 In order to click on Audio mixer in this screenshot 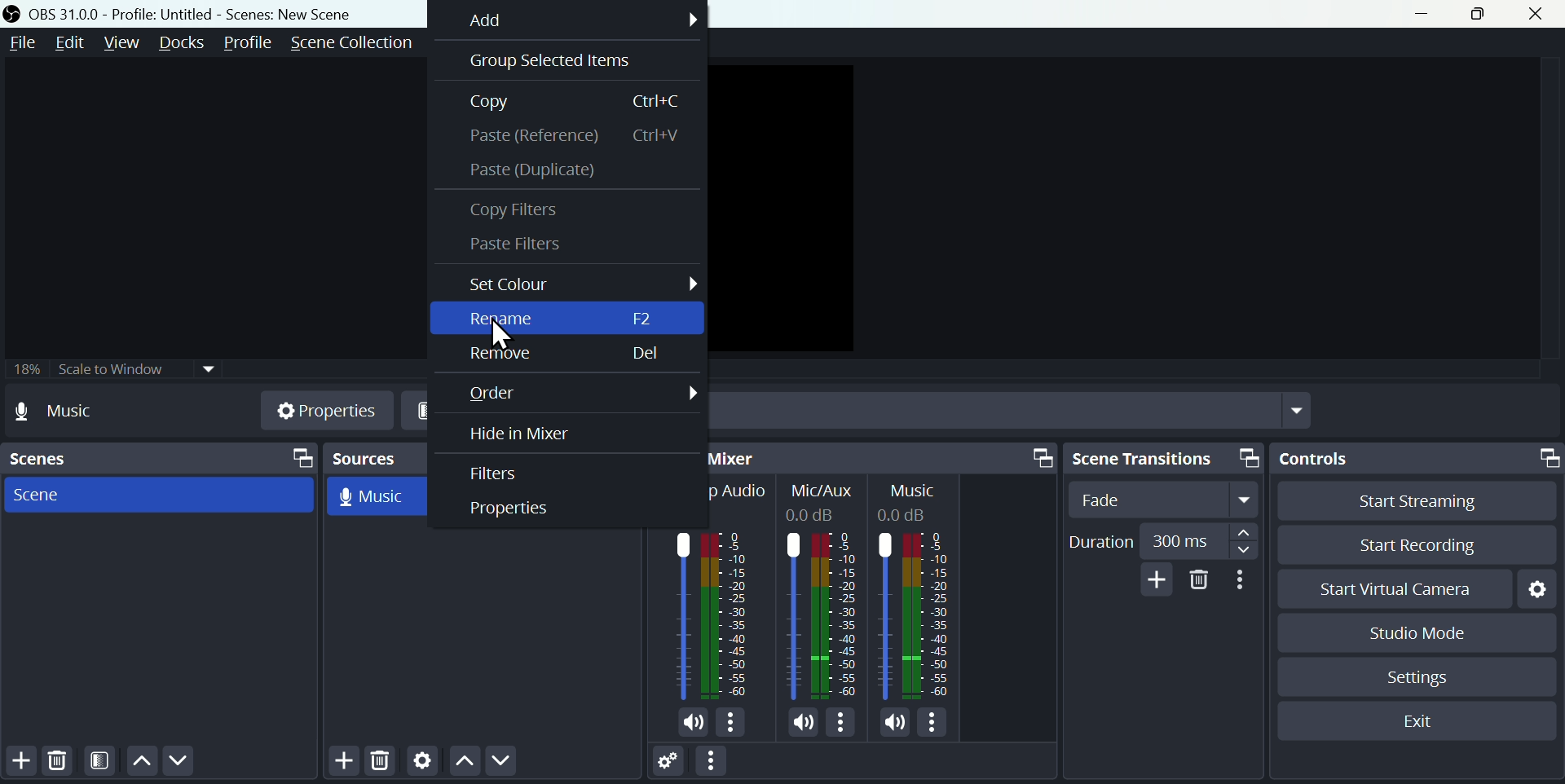, I will do `click(884, 457)`.